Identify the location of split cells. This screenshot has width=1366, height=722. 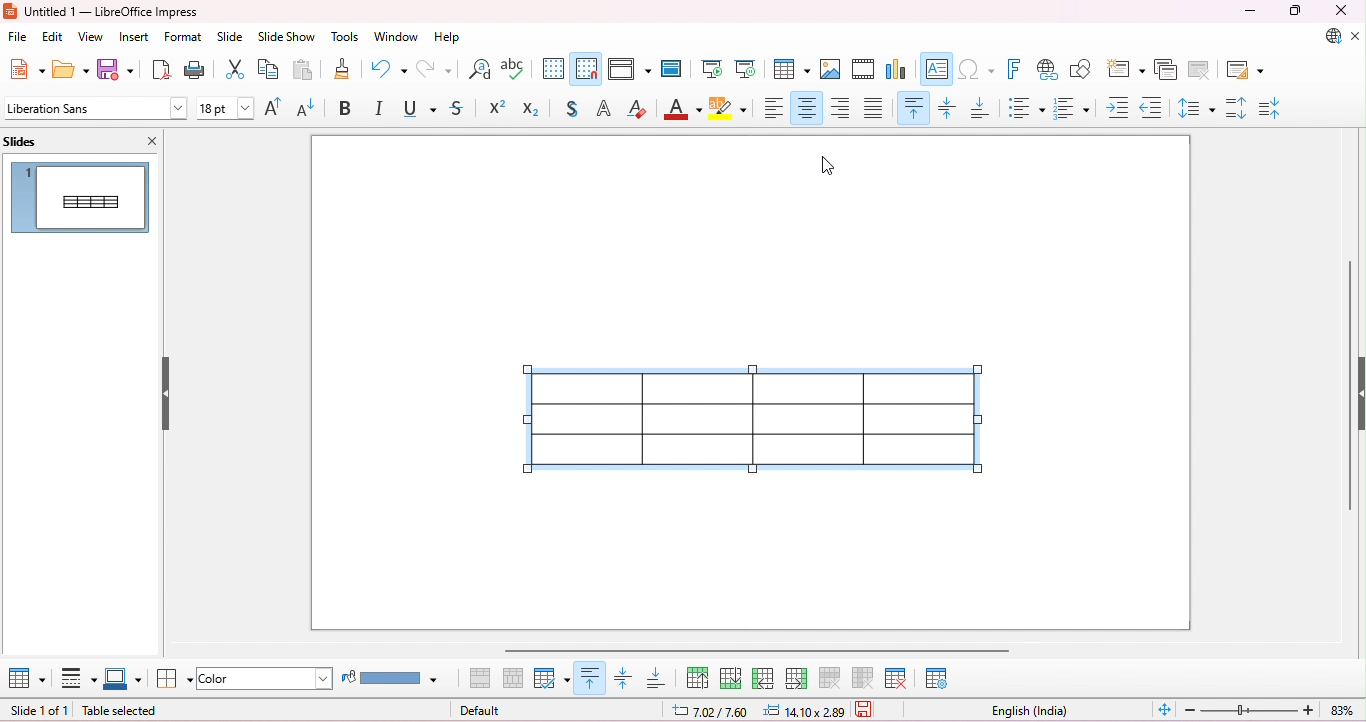
(512, 677).